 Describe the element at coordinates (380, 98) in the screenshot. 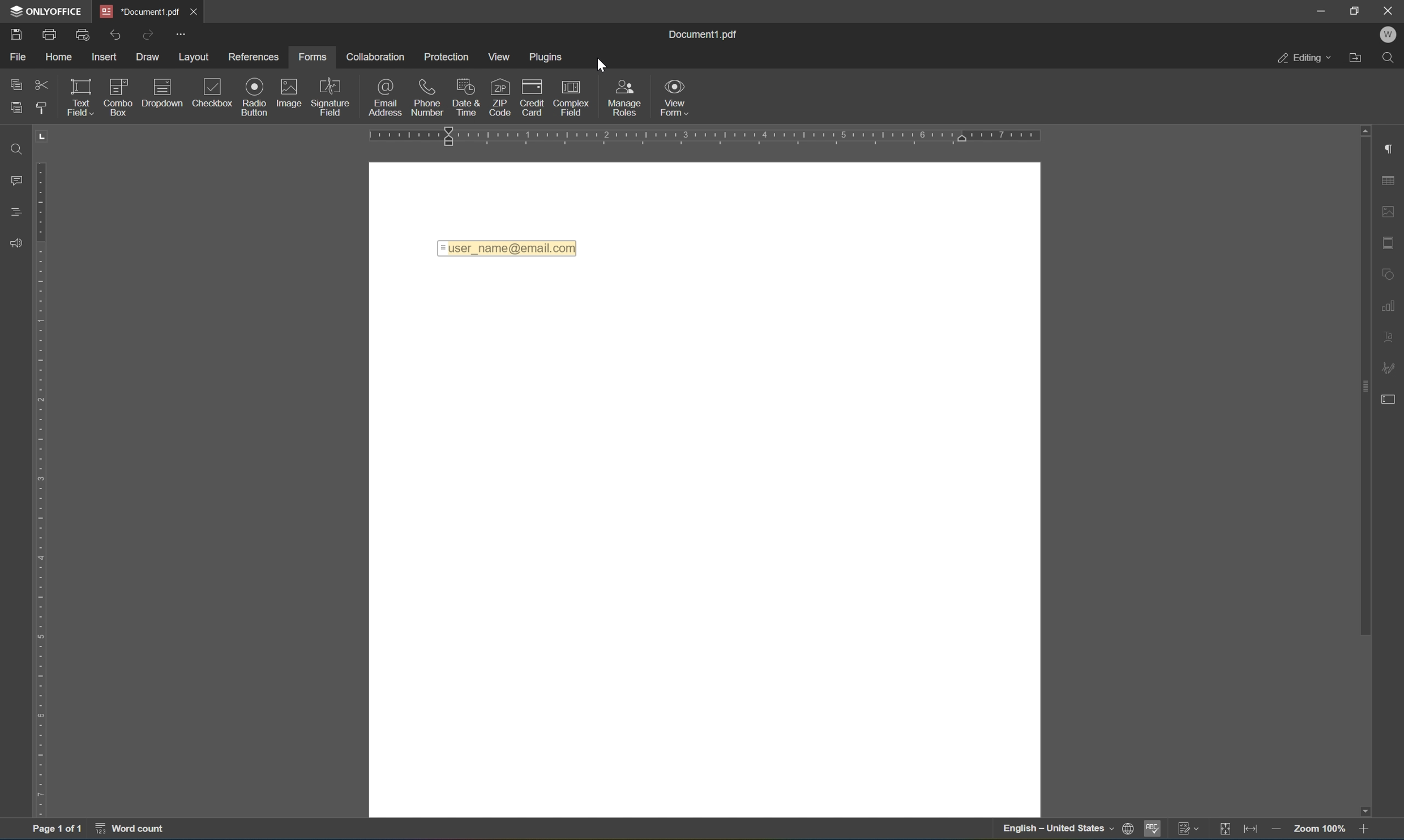

I see `email address` at that location.